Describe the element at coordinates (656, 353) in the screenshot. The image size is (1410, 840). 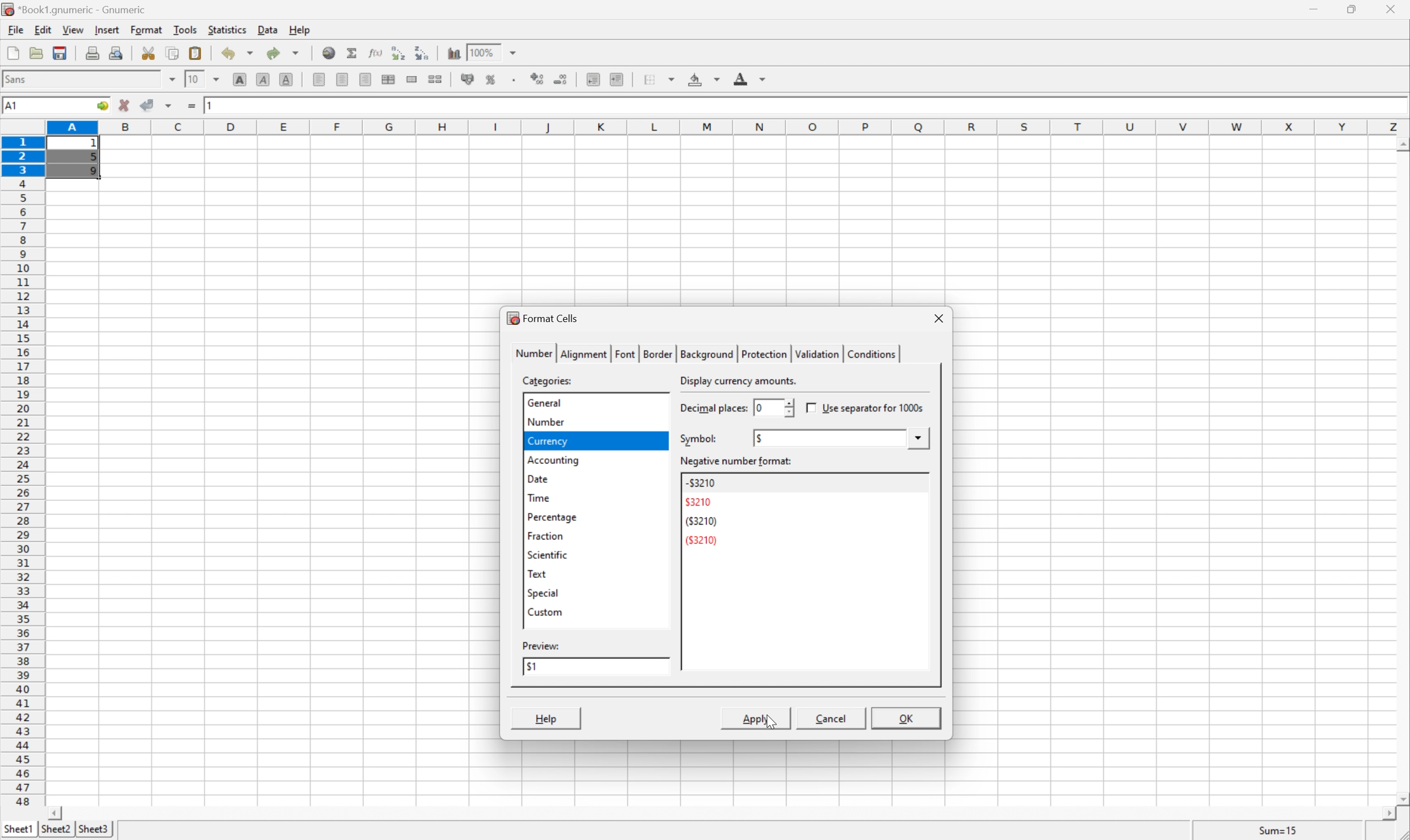
I see `border` at that location.